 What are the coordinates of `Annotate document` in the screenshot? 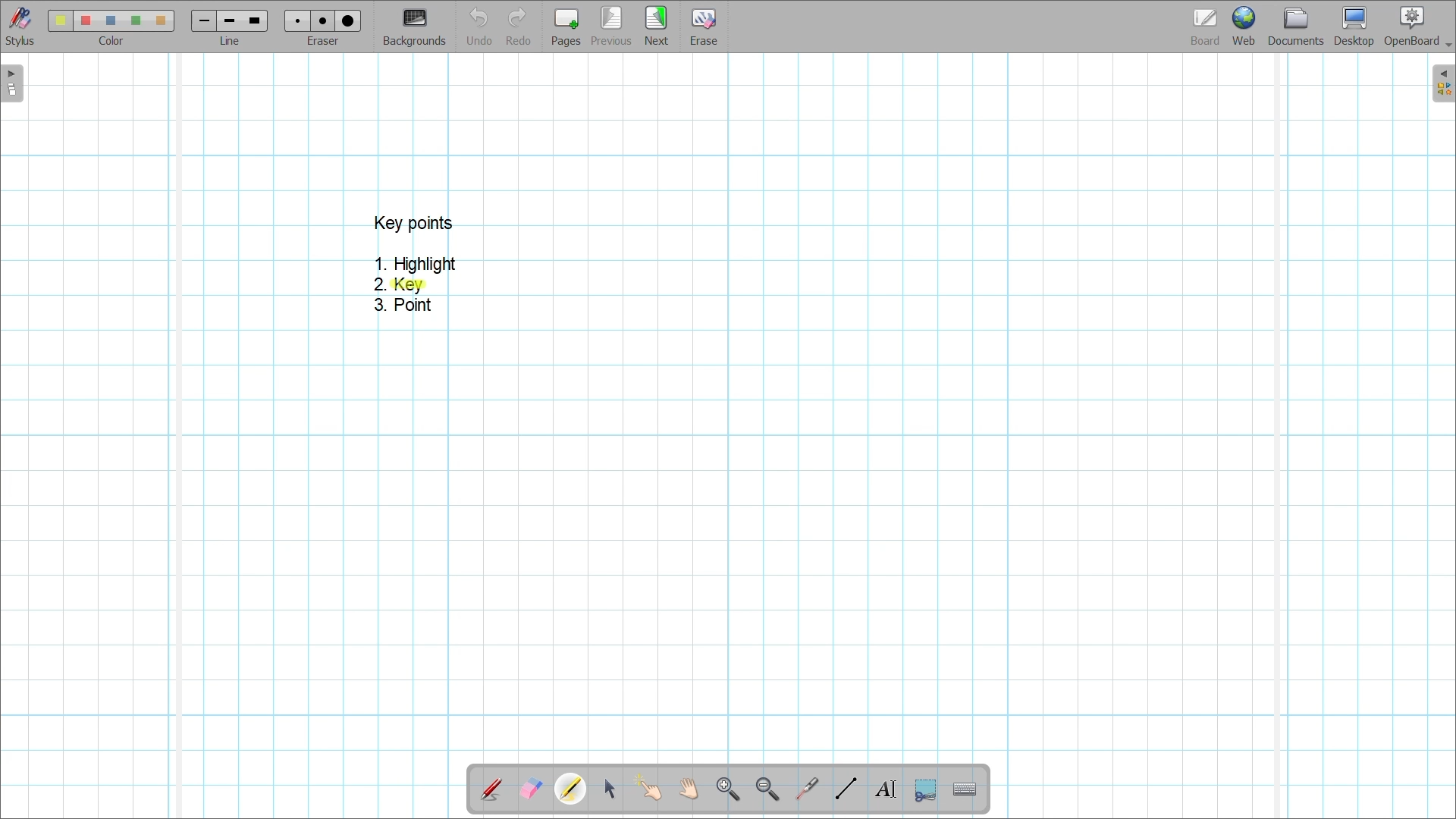 It's located at (491, 790).